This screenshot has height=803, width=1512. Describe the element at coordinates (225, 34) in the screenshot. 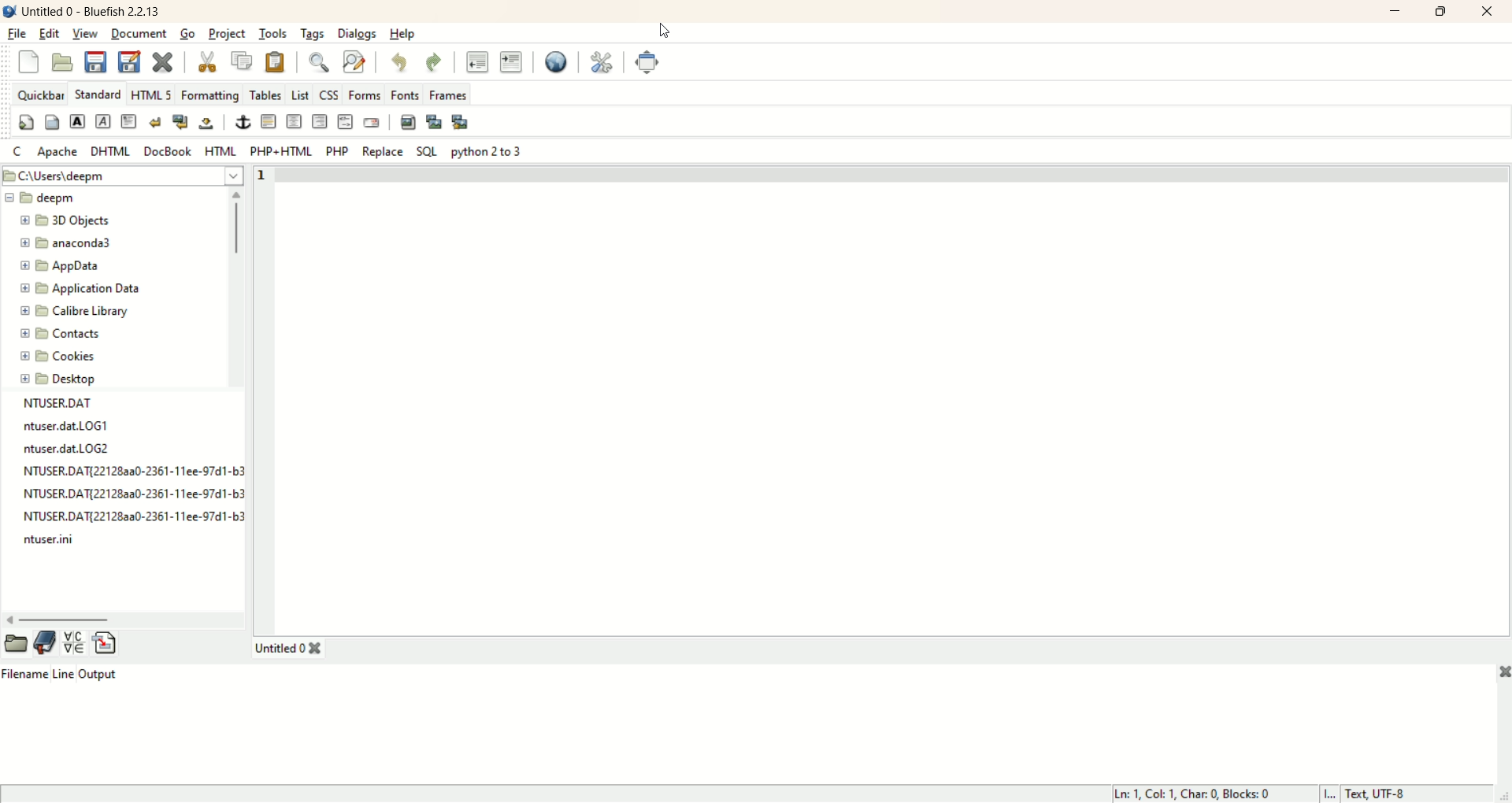

I see `project` at that location.